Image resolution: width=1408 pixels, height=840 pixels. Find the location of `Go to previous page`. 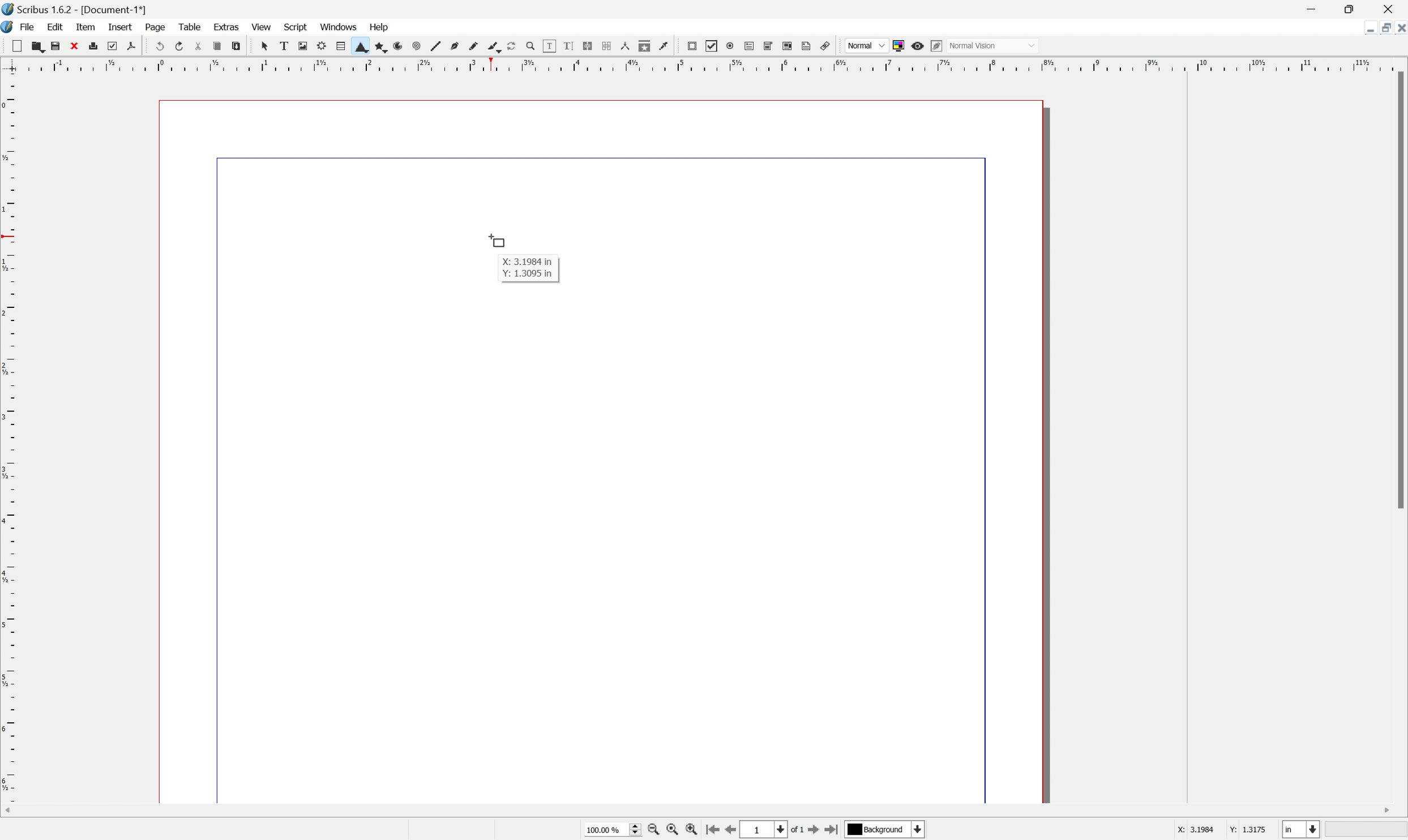

Go to previous page is located at coordinates (728, 832).